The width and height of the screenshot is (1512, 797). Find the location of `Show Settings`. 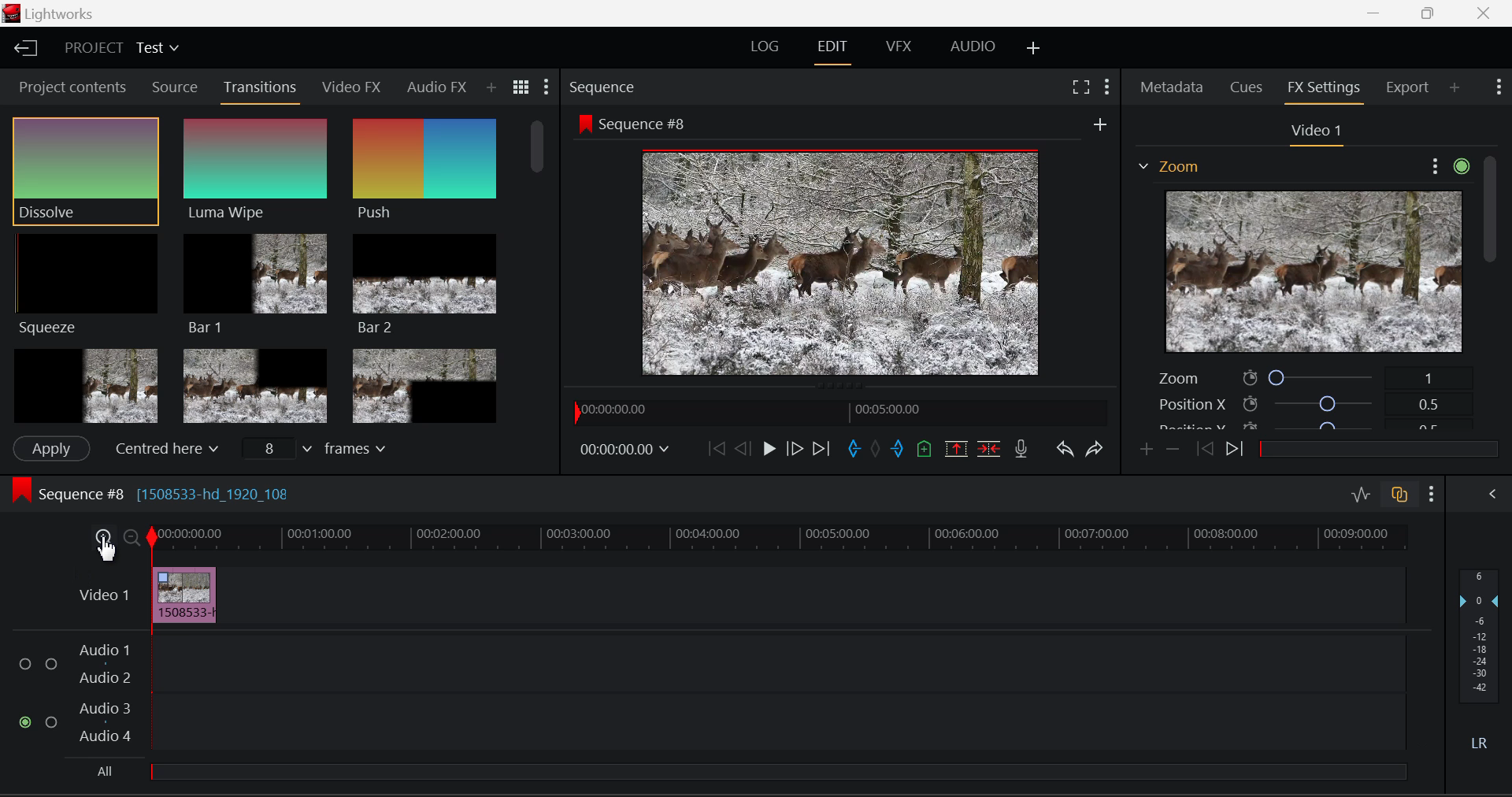

Show Settings is located at coordinates (1431, 493).